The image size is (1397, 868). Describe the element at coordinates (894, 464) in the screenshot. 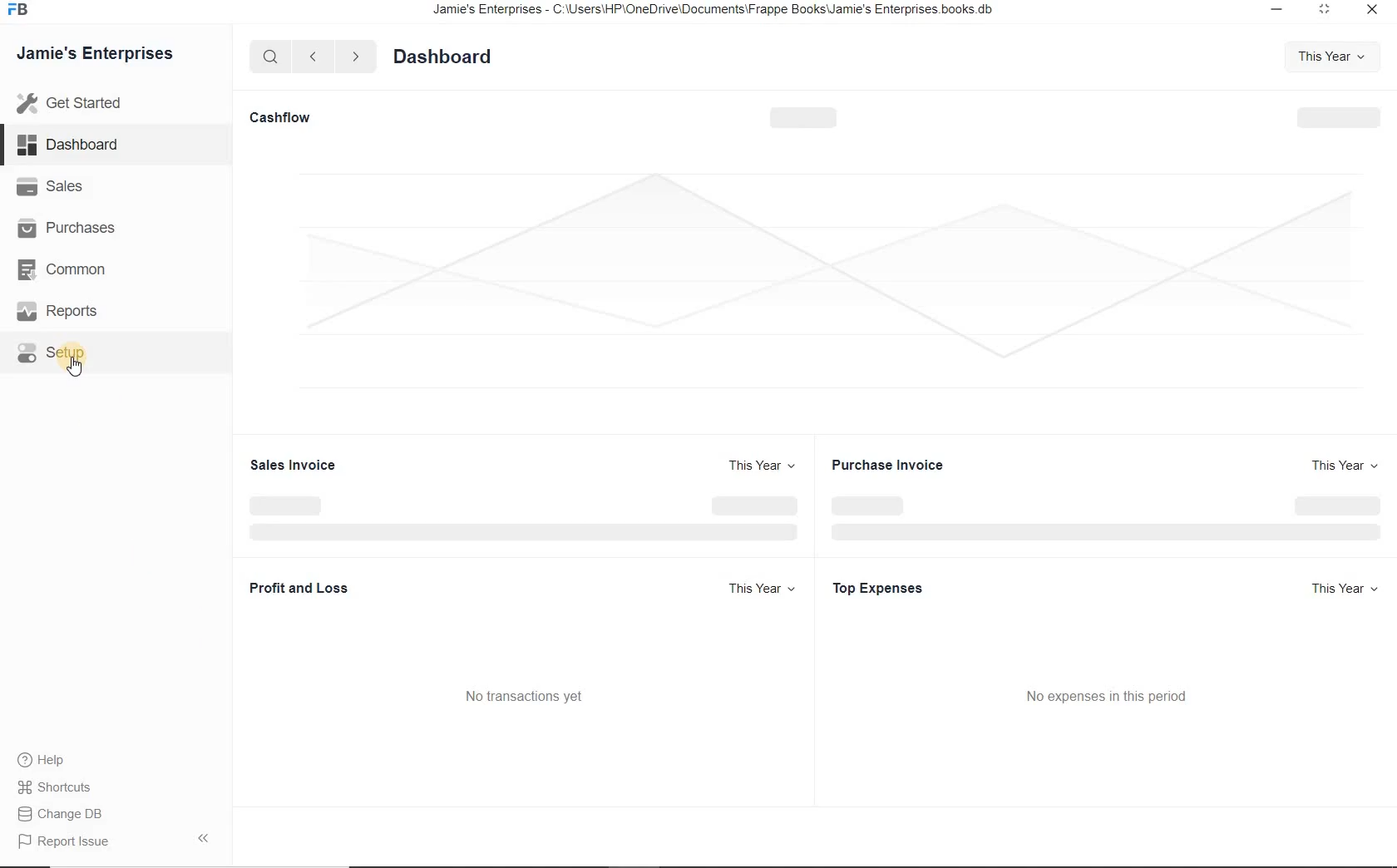

I see `Purchase Invoice` at that location.